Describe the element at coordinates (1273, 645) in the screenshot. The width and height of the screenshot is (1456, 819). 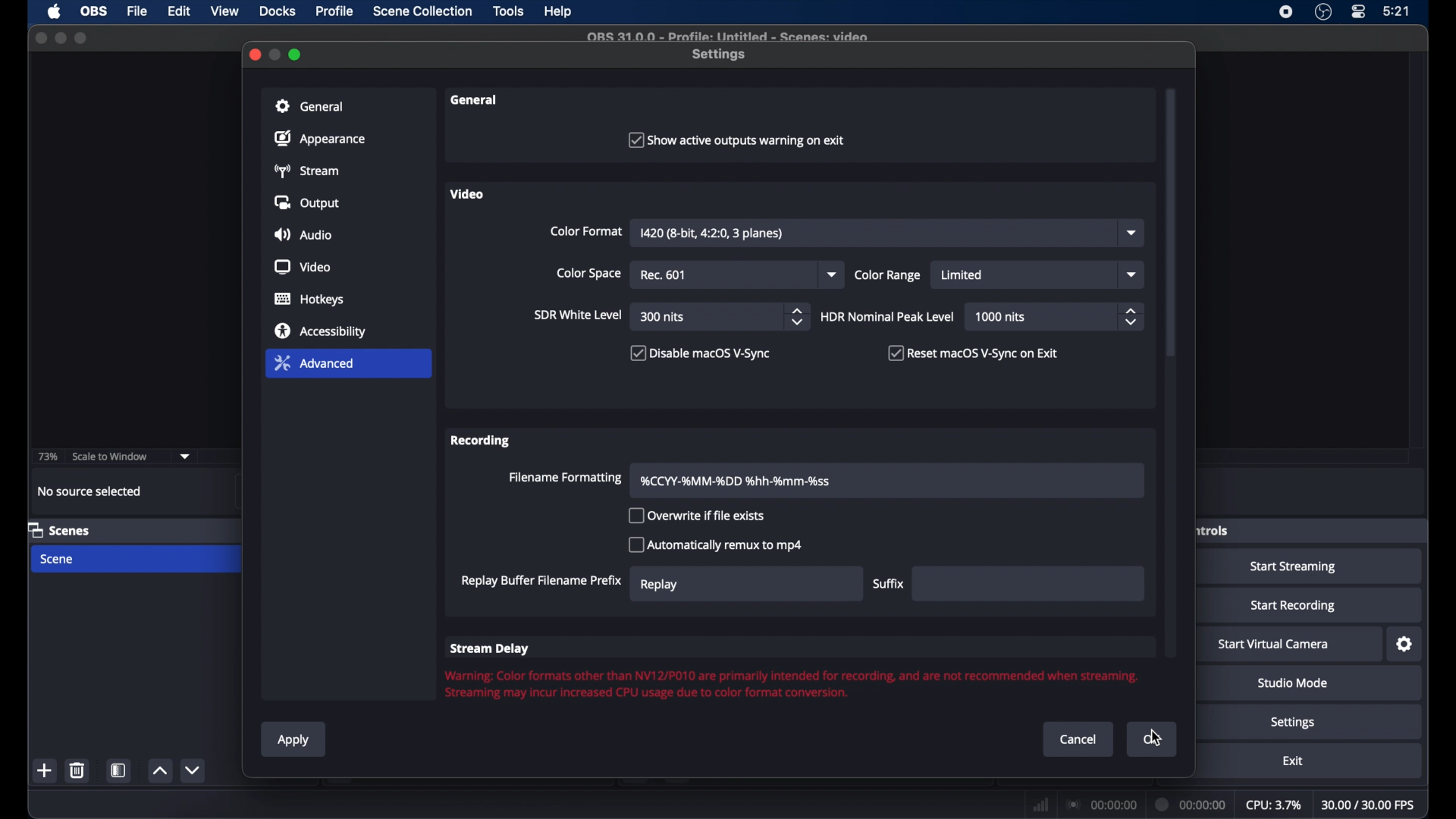
I see `start virtual camera` at that location.